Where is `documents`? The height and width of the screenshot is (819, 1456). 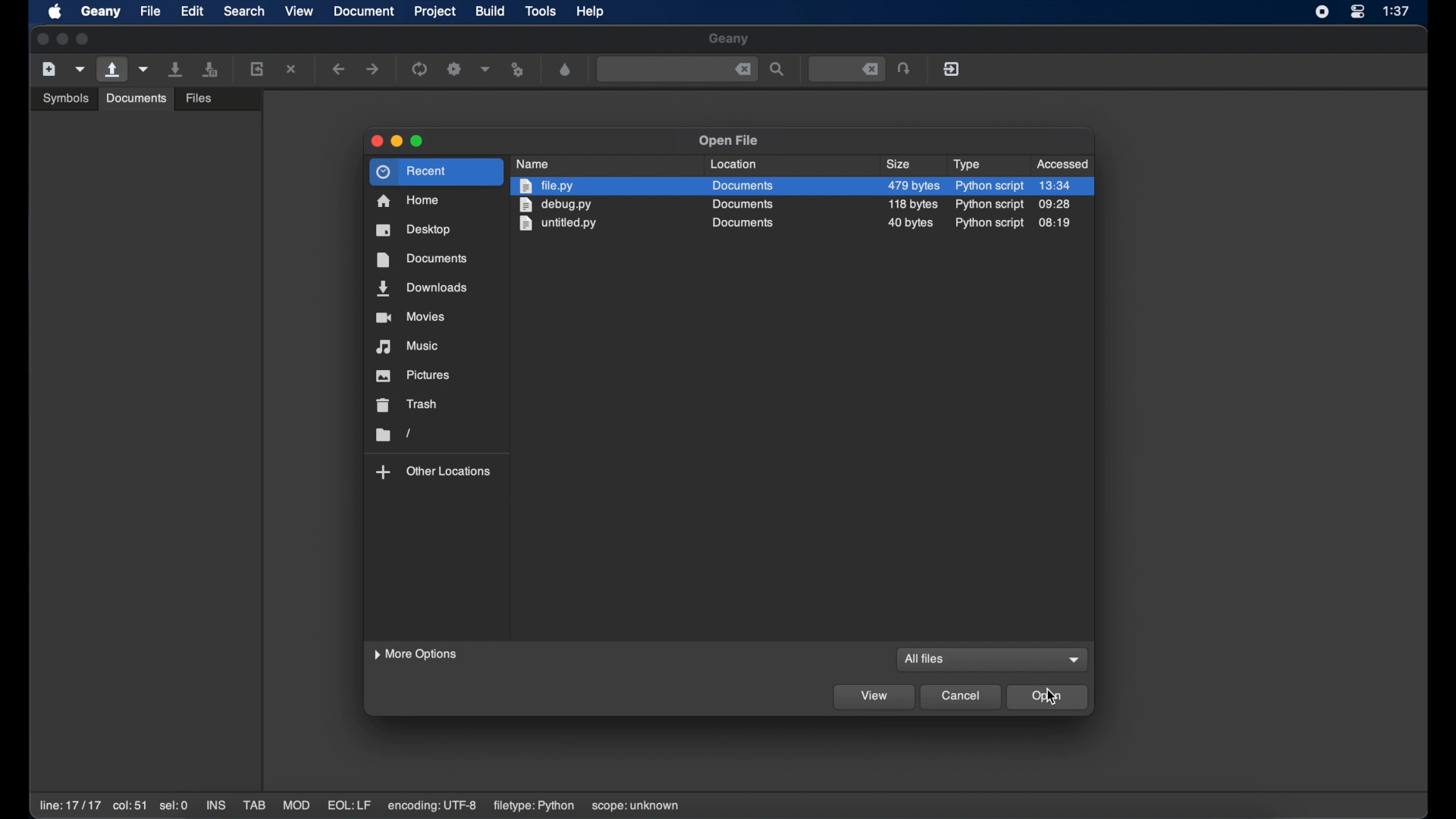 documents is located at coordinates (420, 259).